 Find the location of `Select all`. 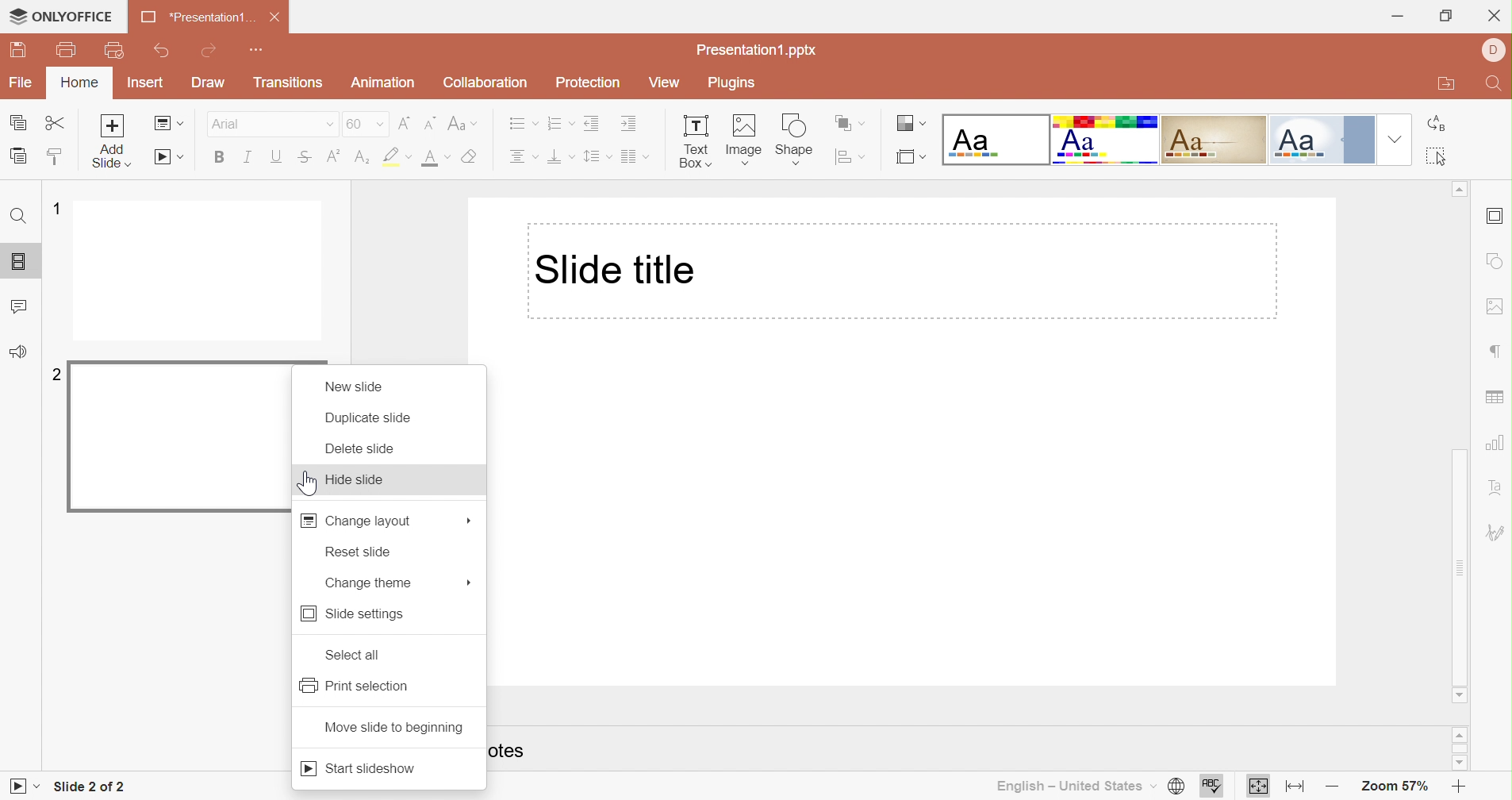

Select all is located at coordinates (350, 656).